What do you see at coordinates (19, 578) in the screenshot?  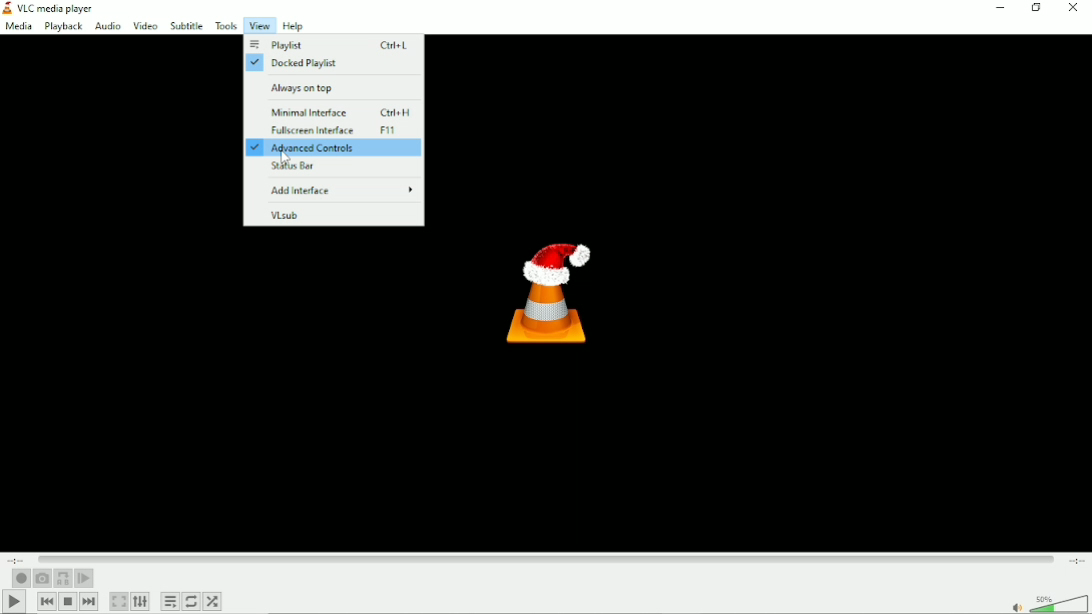 I see `Record` at bounding box center [19, 578].